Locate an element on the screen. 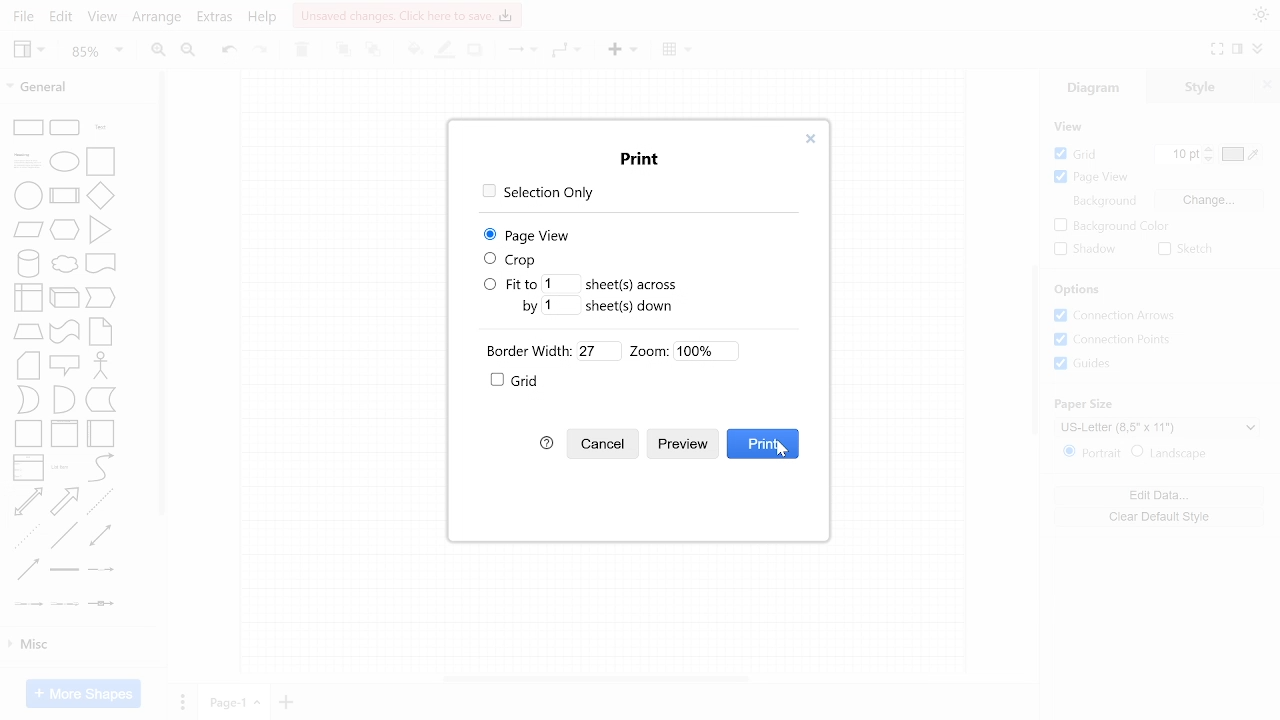 The image size is (1280, 720). Bidirectional connector is located at coordinates (100, 535).